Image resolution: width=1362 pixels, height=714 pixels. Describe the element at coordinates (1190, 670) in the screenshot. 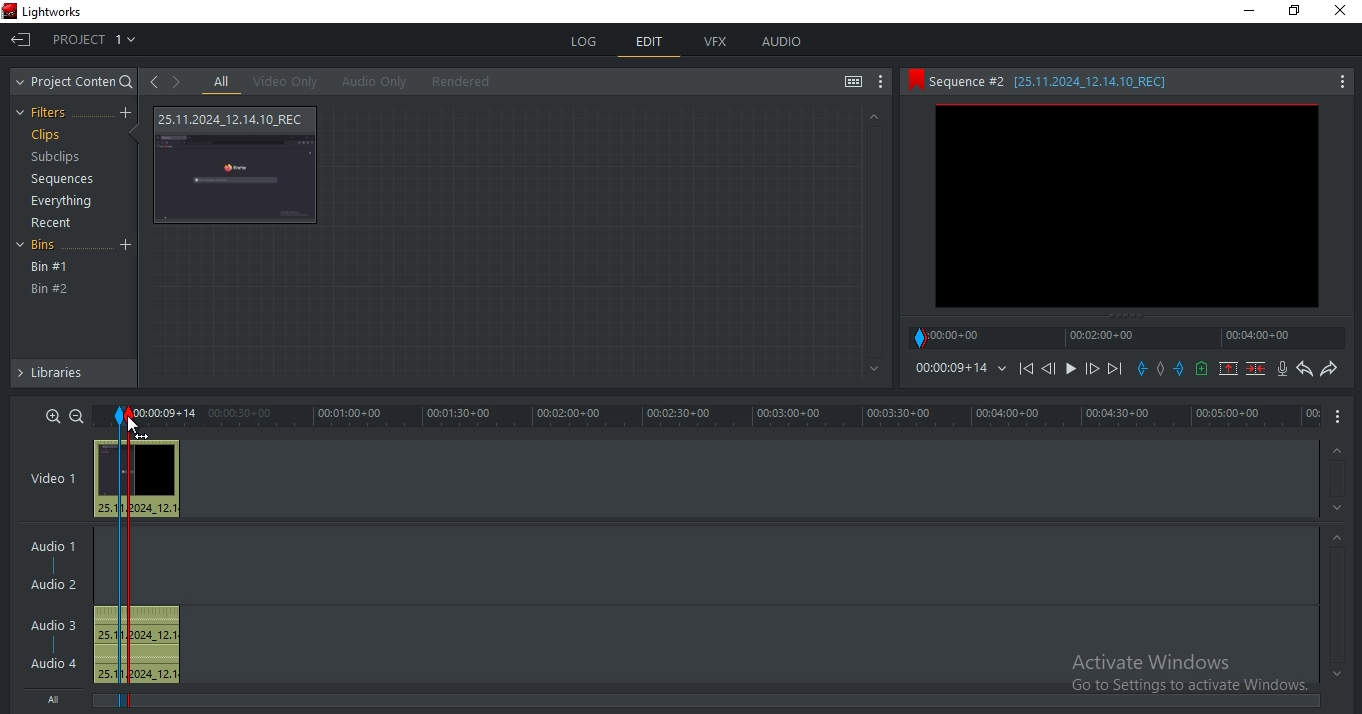

I see `Active windows` at that location.